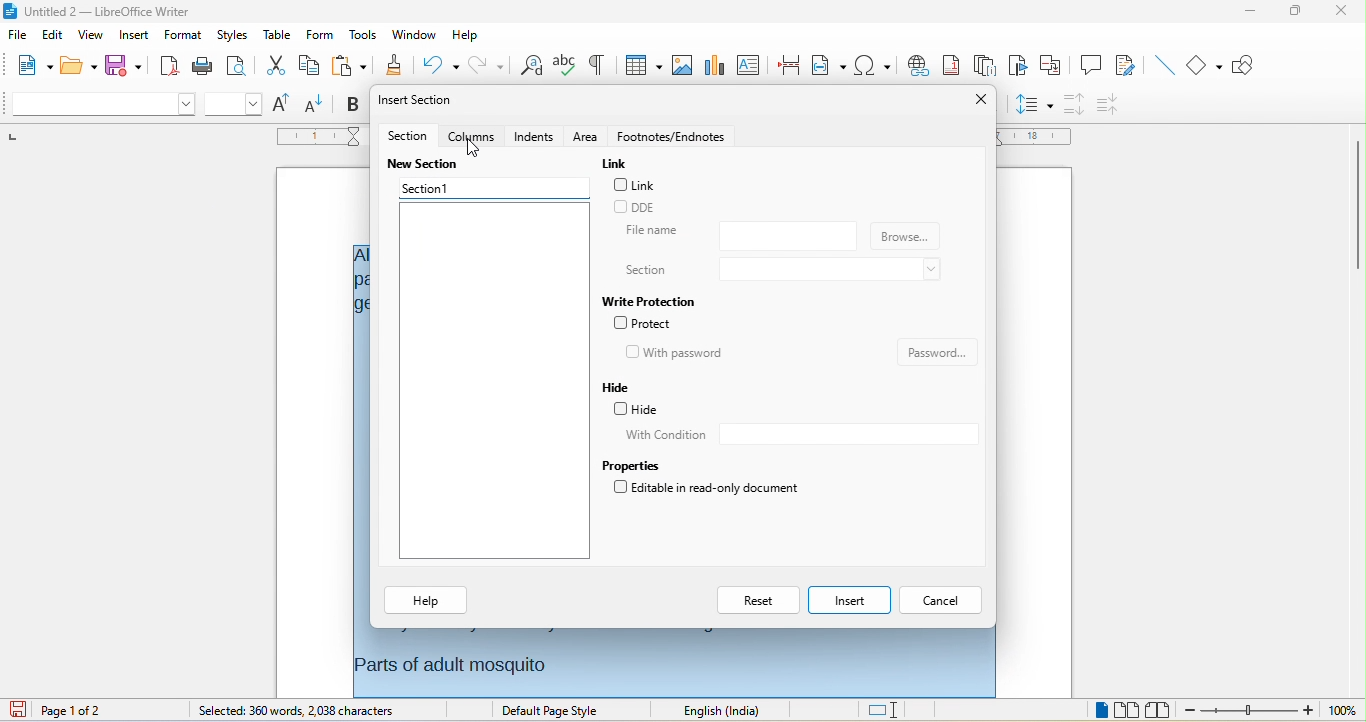 The image size is (1366, 722). Describe the element at coordinates (1246, 13) in the screenshot. I see `minimize` at that location.